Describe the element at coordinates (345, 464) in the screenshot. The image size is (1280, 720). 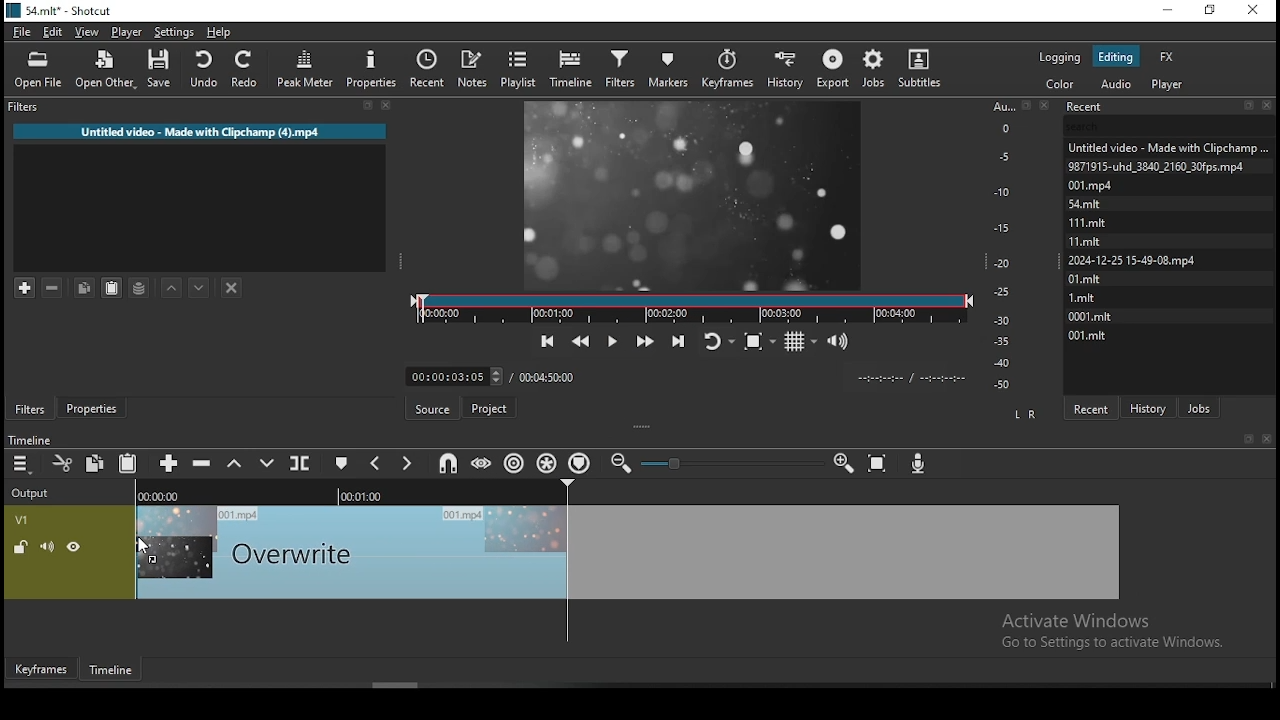
I see `create/edit marker` at that location.